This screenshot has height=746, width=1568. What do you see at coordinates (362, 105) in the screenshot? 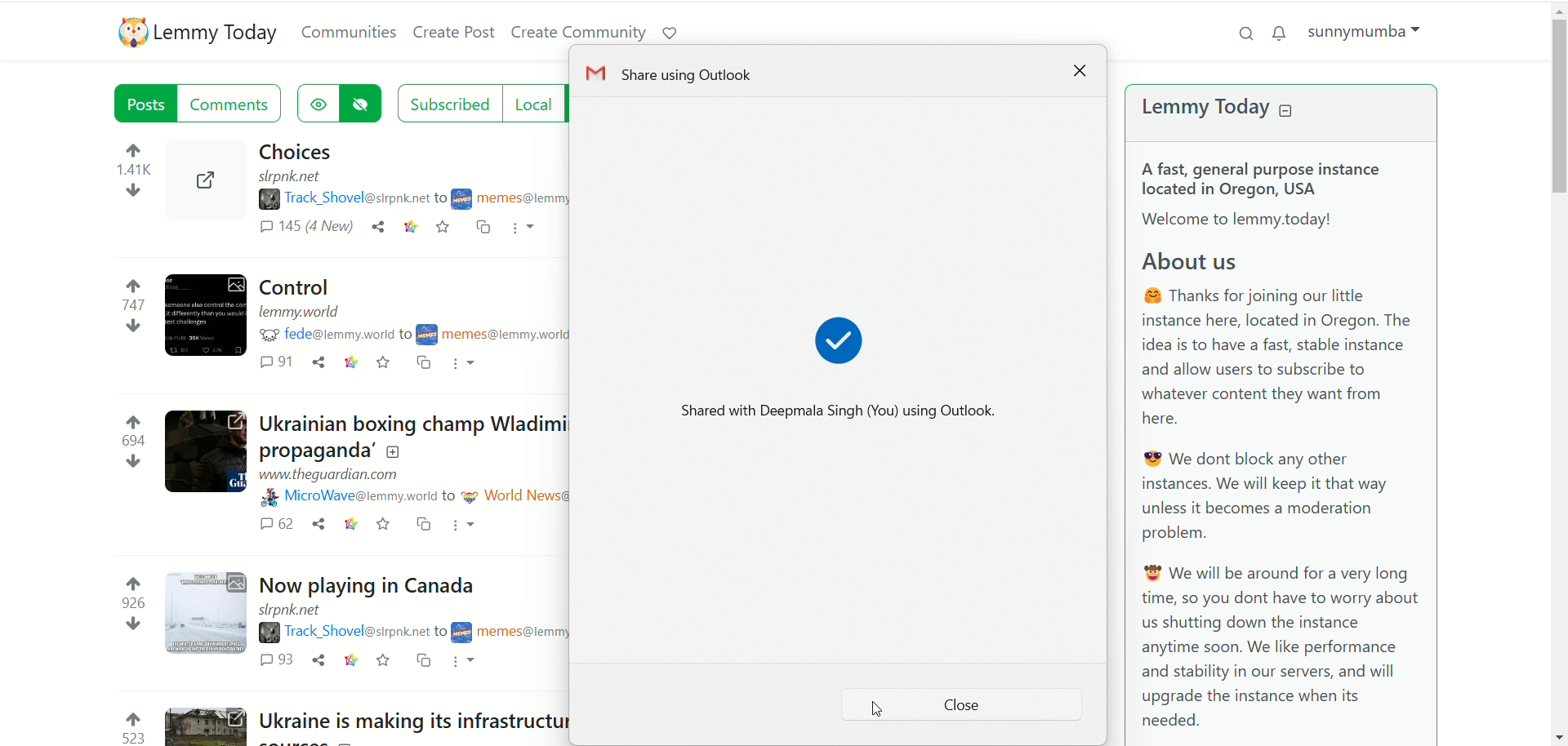
I see `hide posts` at bounding box center [362, 105].